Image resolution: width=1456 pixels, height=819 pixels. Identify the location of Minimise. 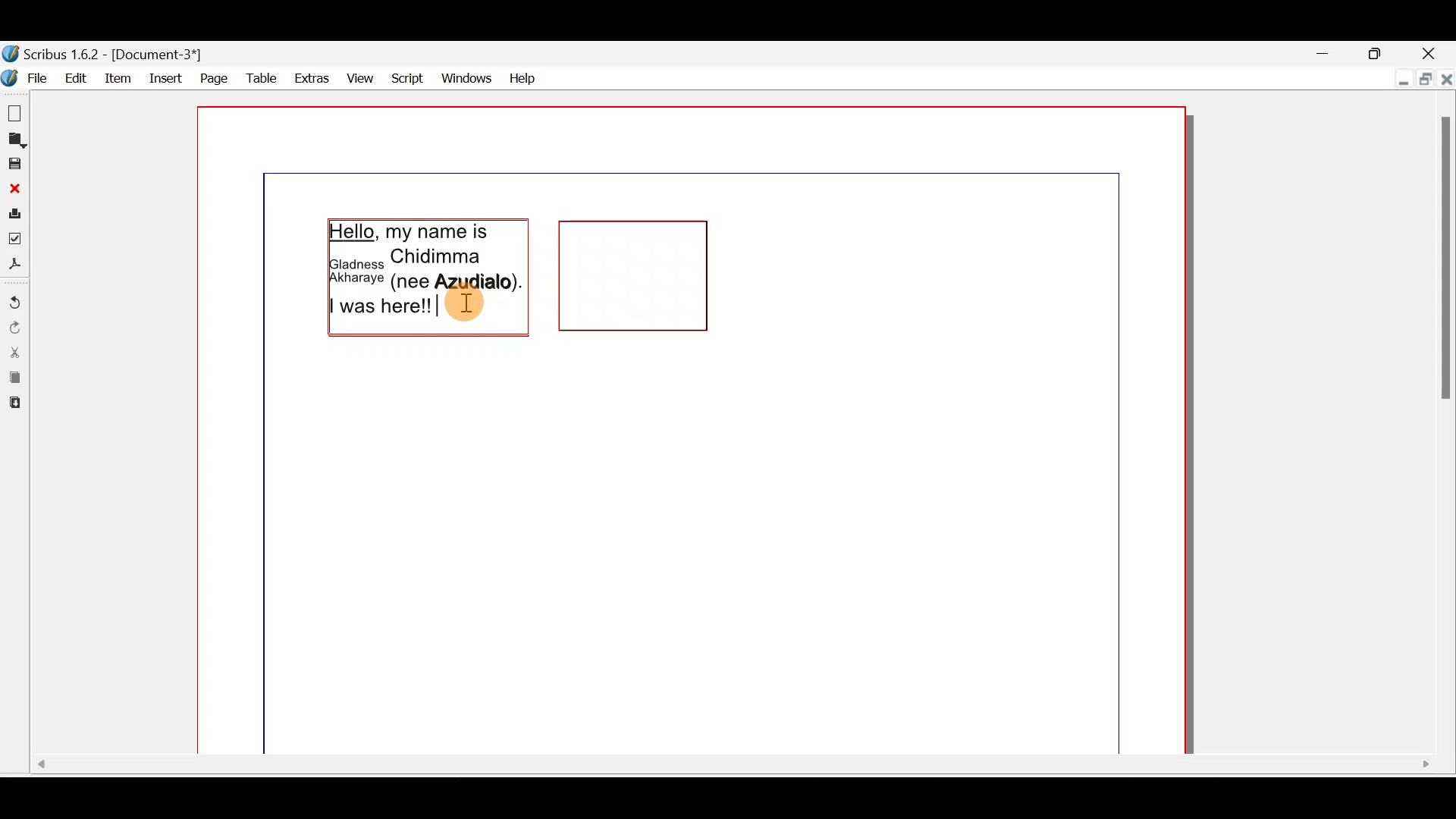
(1323, 52).